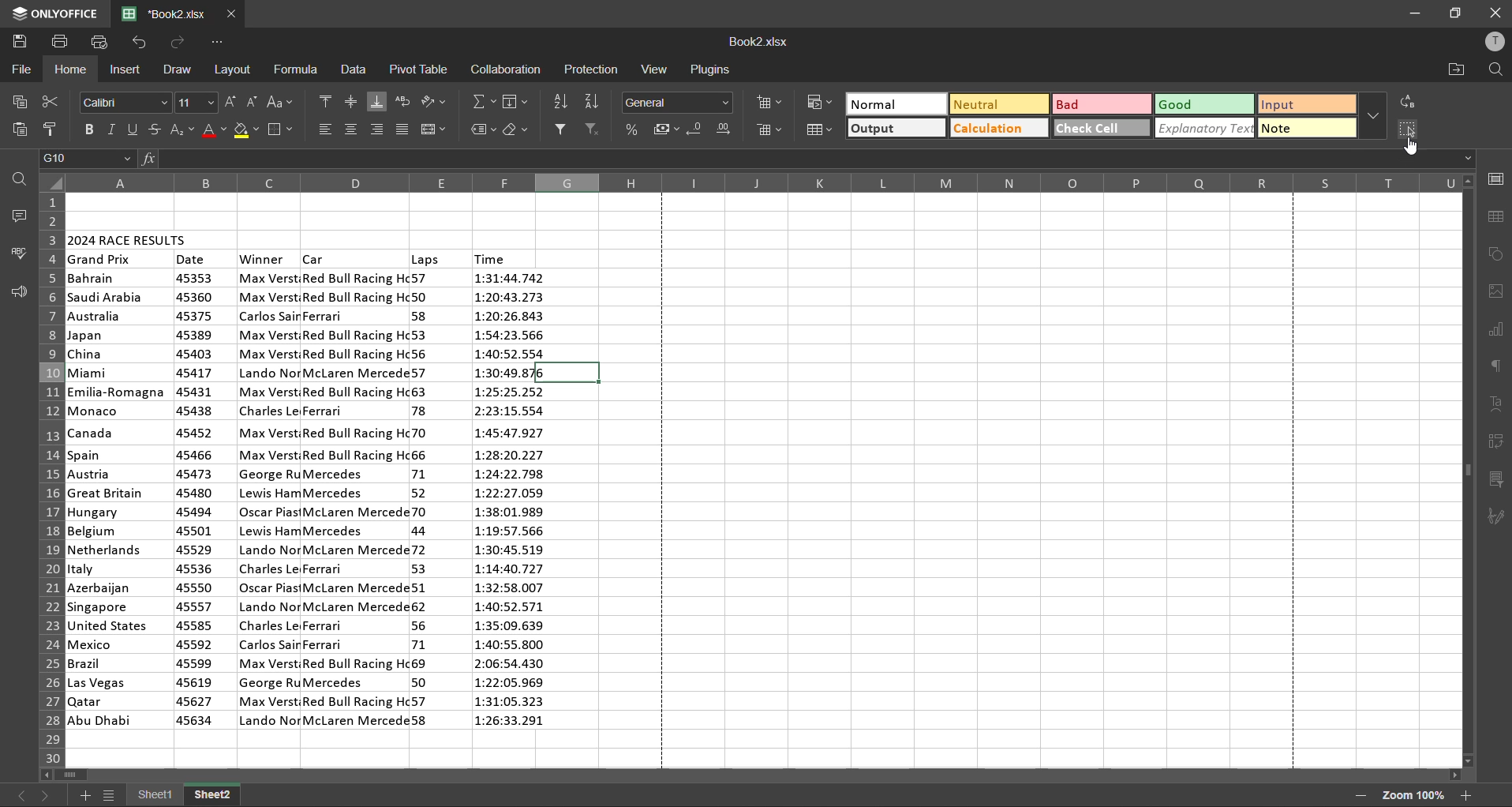  What do you see at coordinates (417, 69) in the screenshot?
I see `pivot table` at bounding box center [417, 69].